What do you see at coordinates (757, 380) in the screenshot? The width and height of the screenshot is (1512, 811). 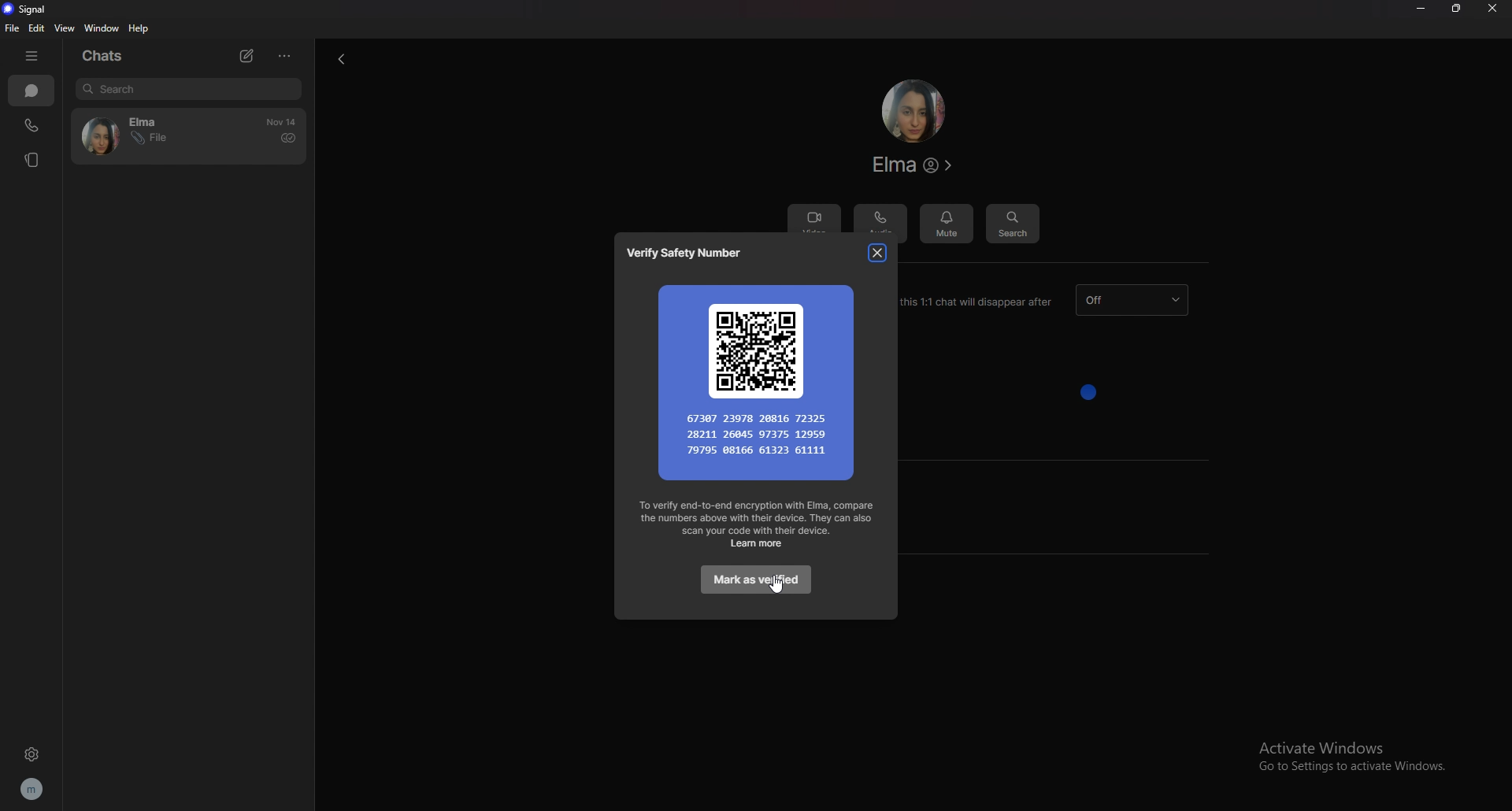 I see `qr code` at bounding box center [757, 380].